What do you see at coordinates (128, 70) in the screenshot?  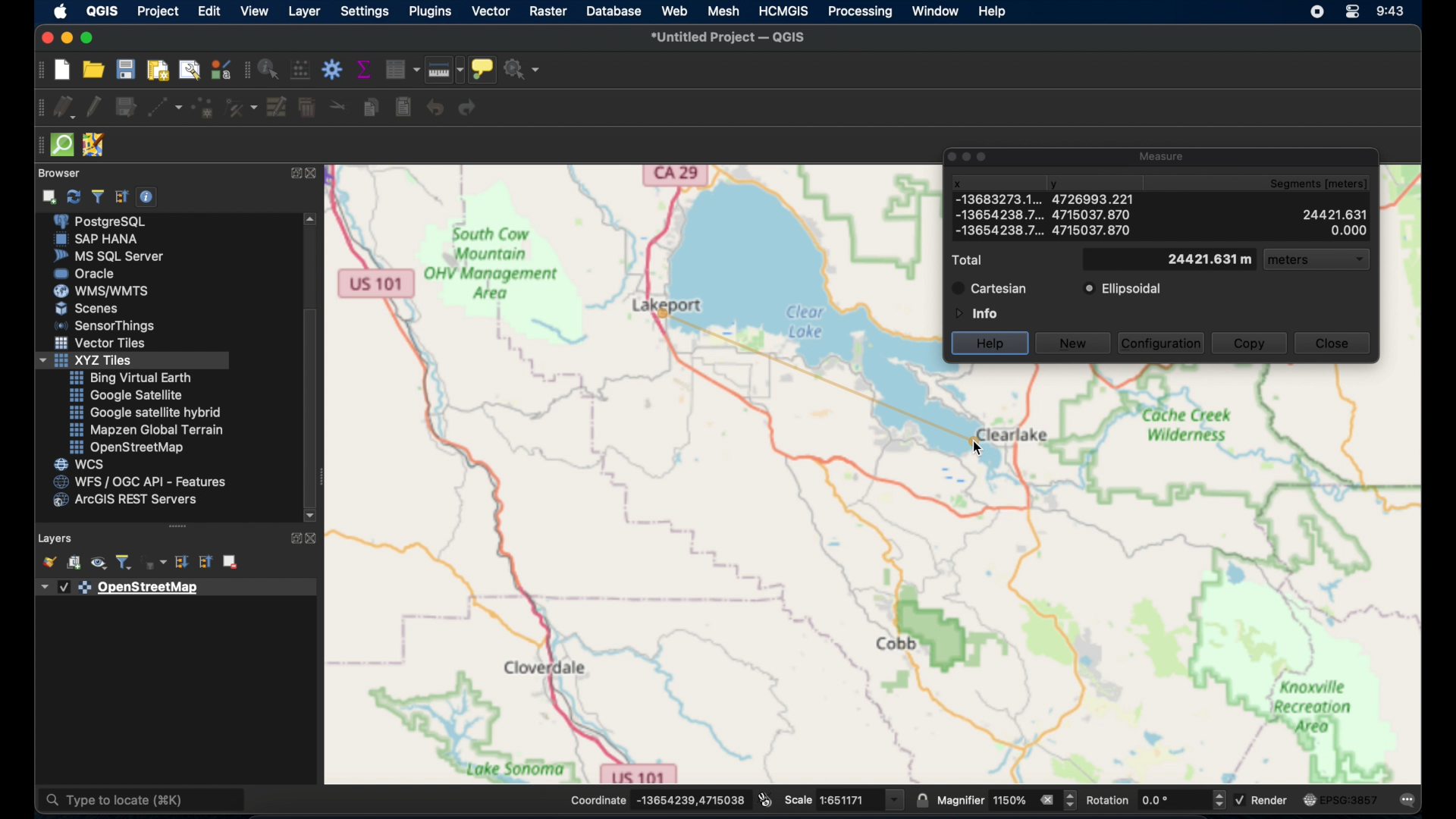 I see `save project` at bounding box center [128, 70].